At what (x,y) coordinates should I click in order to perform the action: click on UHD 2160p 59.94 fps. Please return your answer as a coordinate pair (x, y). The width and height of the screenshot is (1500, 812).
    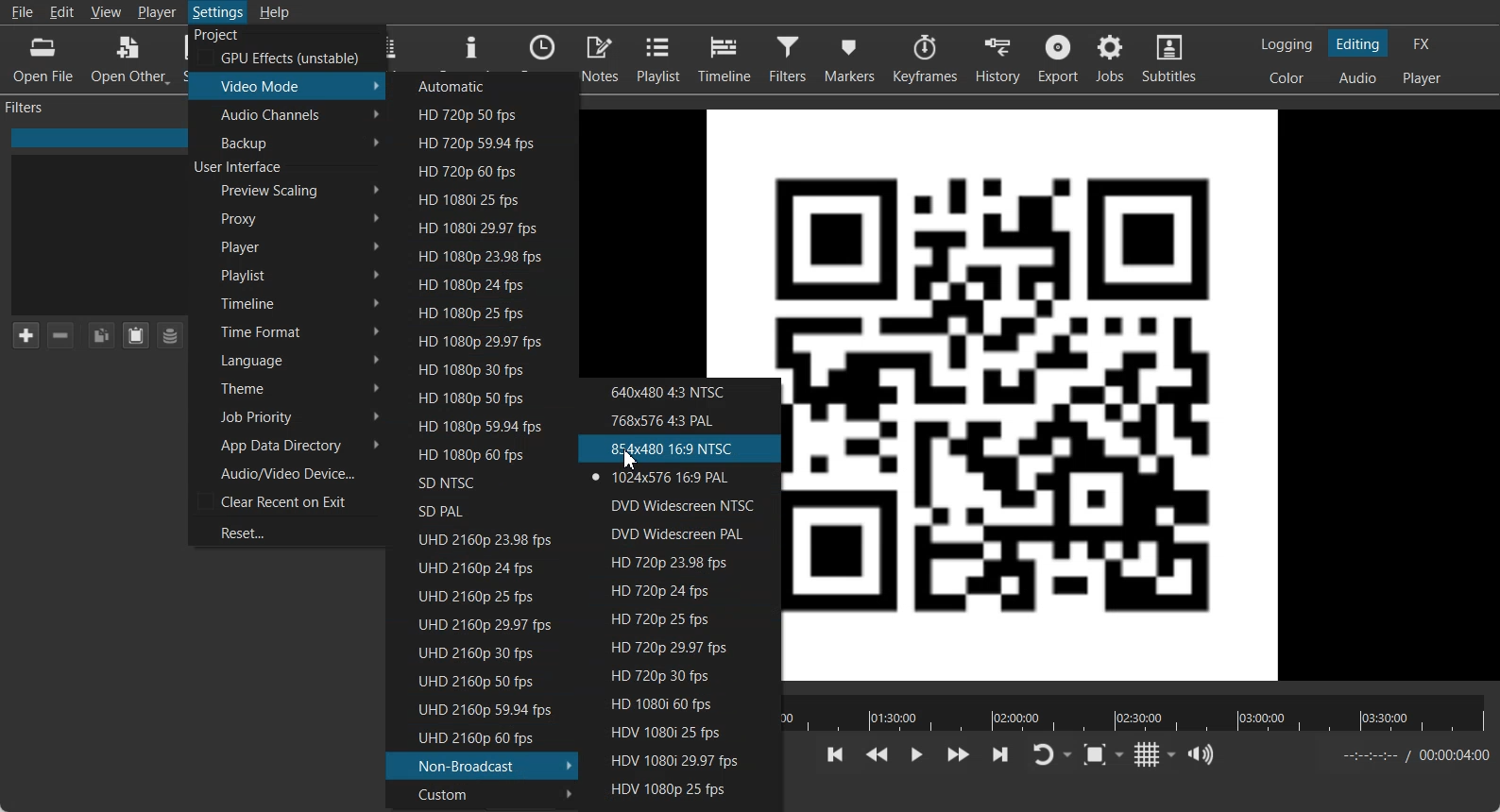
    Looking at the image, I should click on (476, 710).